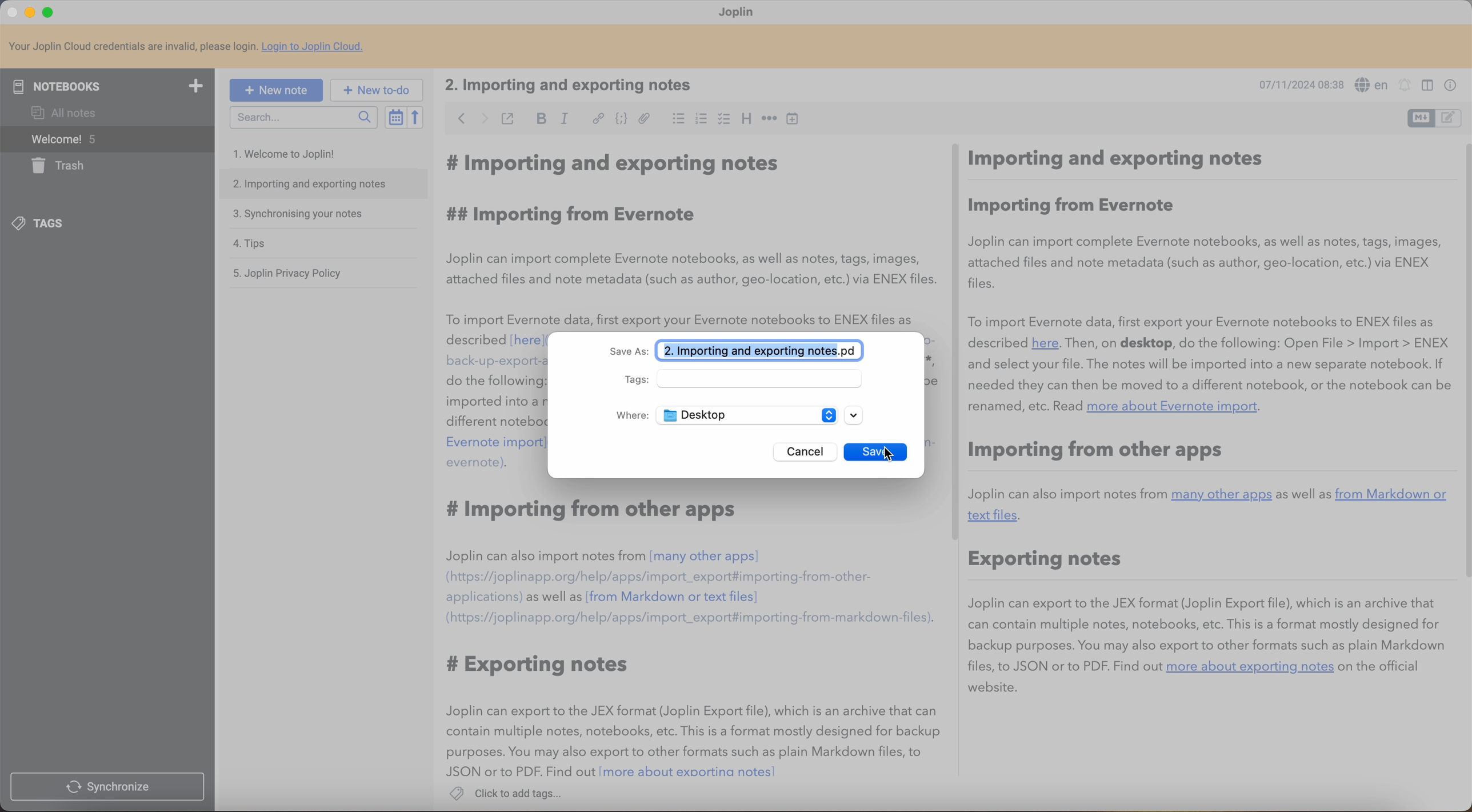 The width and height of the screenshot is (1472, 812). I want to click on Importing and exporting notes: Joplin can important complete Evernote notebooks, as well as notes, tags, images, attached files and note metadata (such as as author, geo-location, etc) vía ENEX files. To import Evernote data, first export your Evernote notebooks to ENEX files aside described (here)…, so click(691, 238).